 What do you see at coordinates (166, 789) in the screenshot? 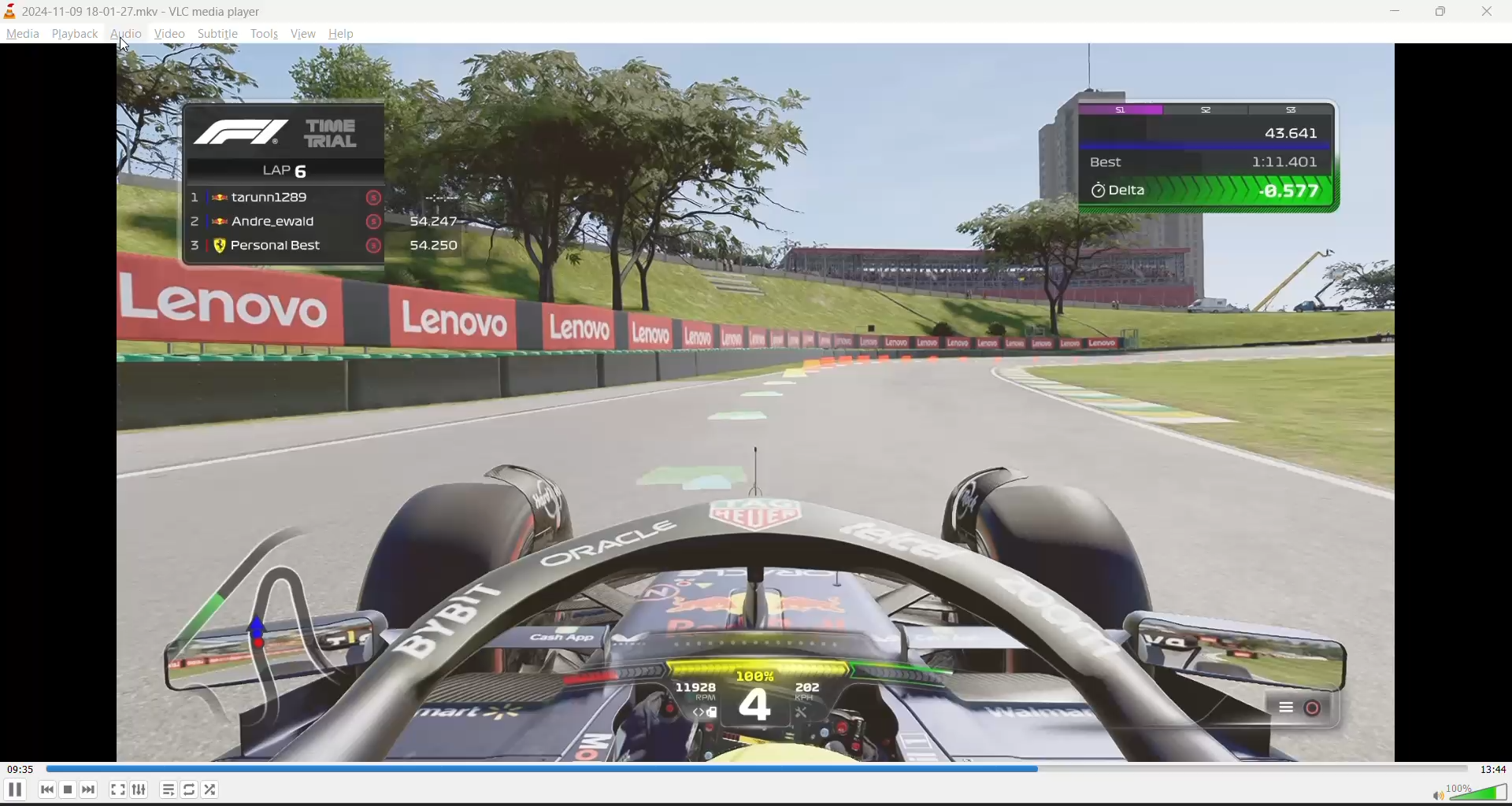
I see `playlist` at bounding box center [166, 789].